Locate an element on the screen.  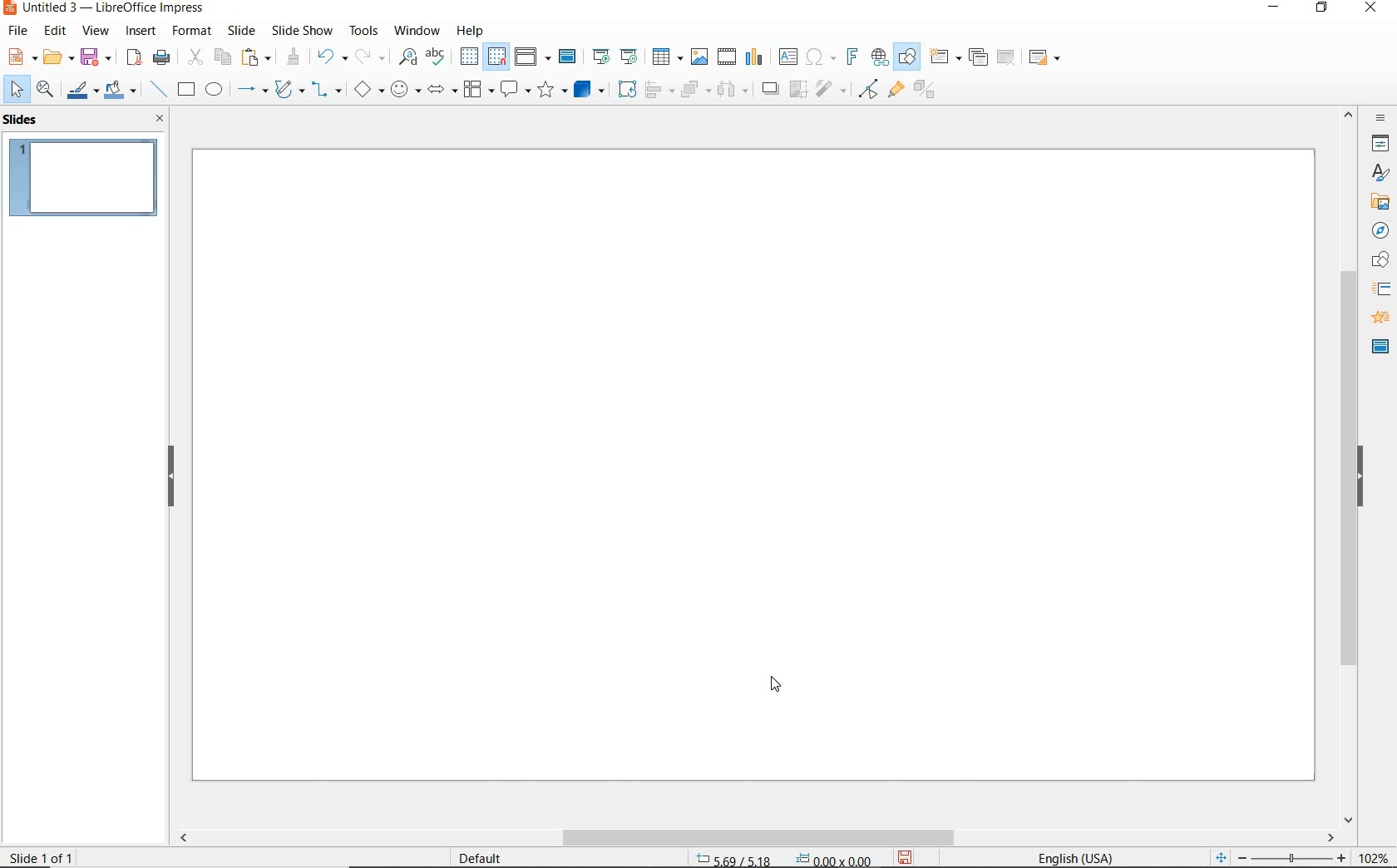
NAVIGATOR is located at coordinates (1380, 232).